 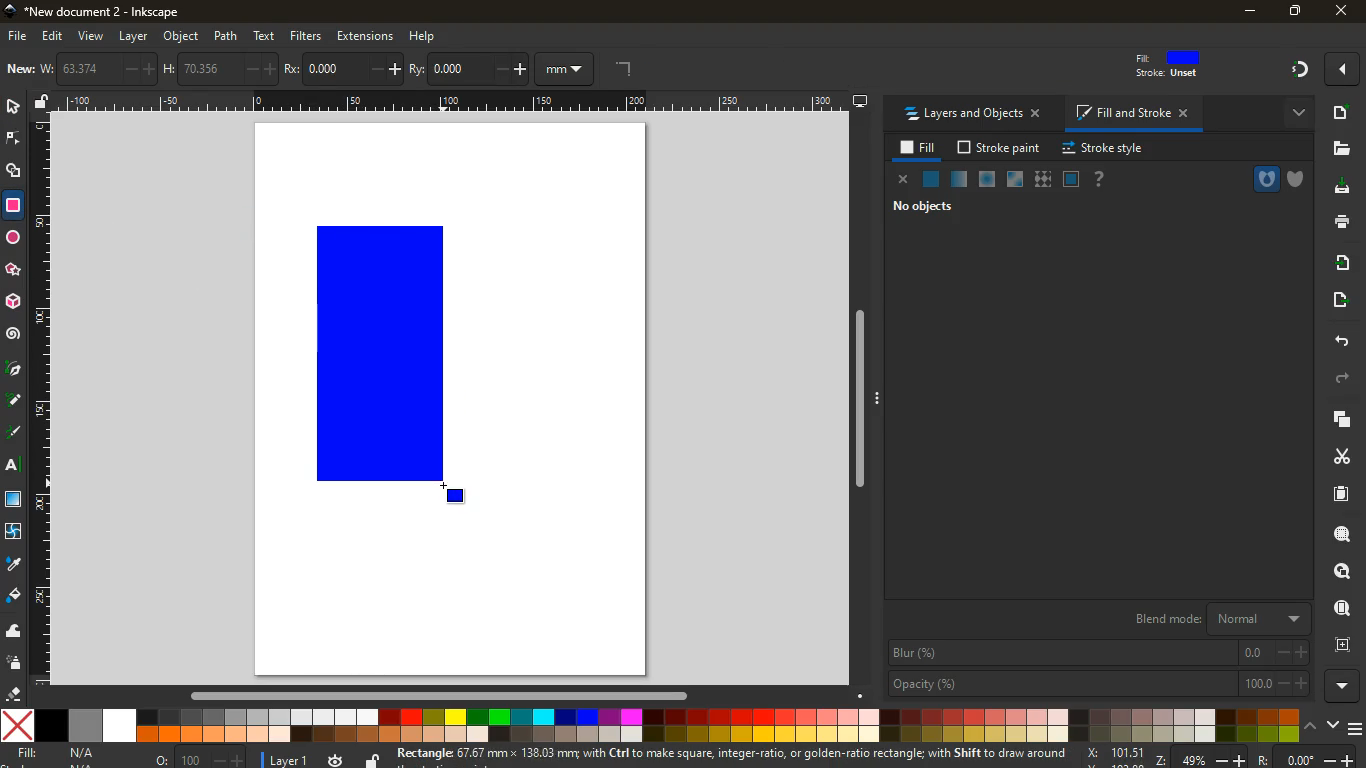 I want to click on help, so click(x=1099, y=179).